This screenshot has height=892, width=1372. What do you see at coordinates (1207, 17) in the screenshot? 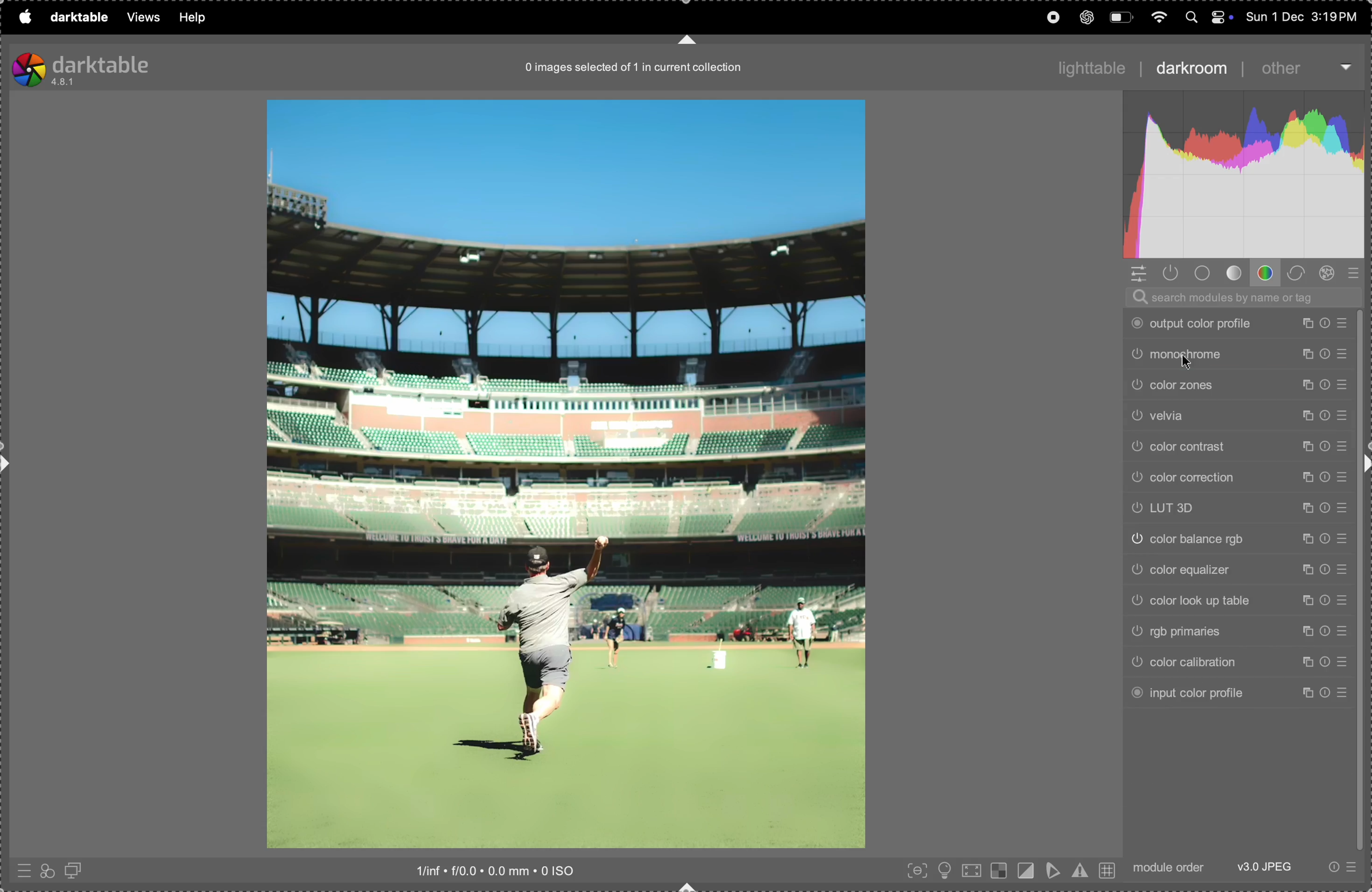
I see `apple widgets` at bounding box center [1207, 17].